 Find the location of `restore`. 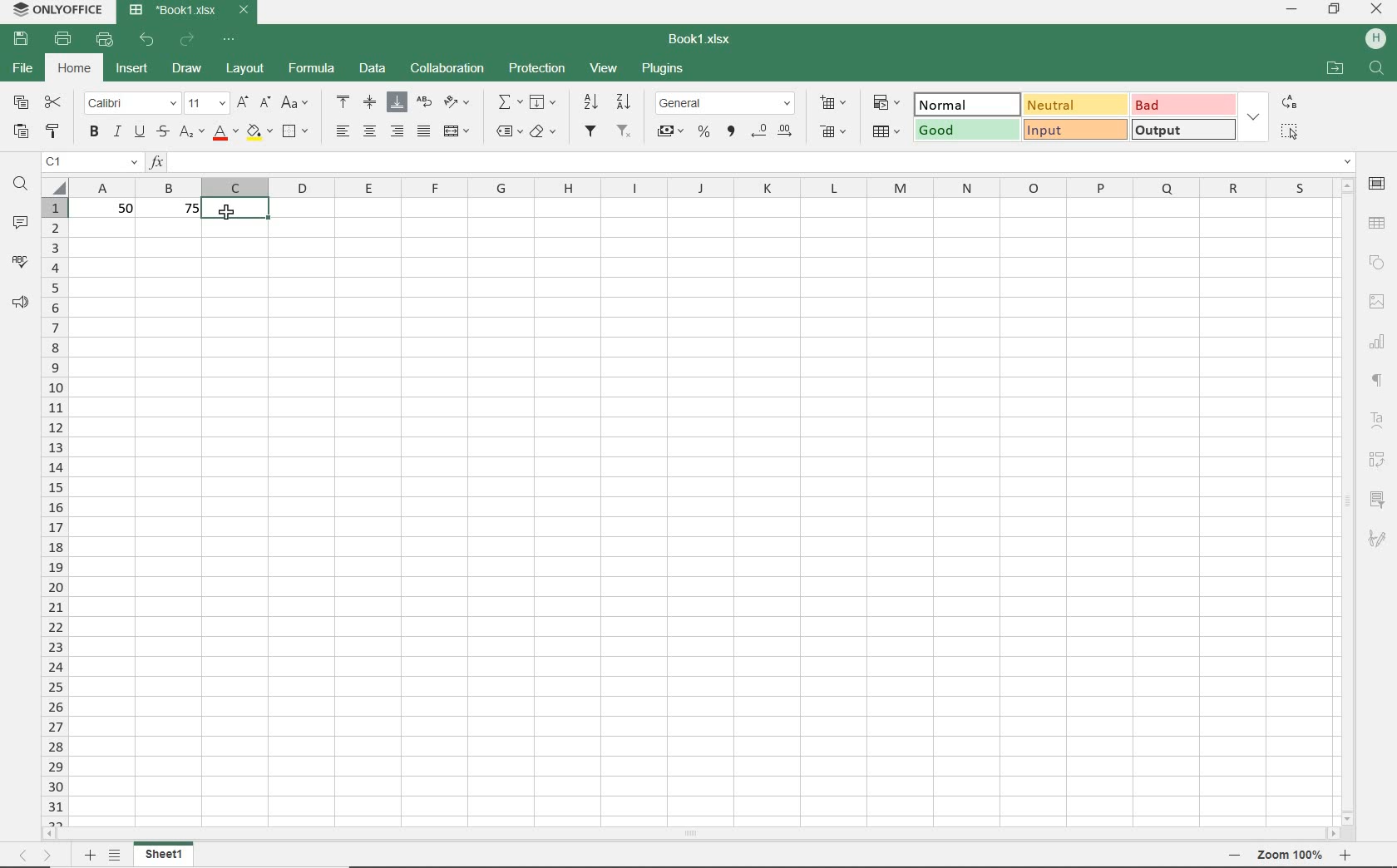

restore is located at coordinates (1335, 11).